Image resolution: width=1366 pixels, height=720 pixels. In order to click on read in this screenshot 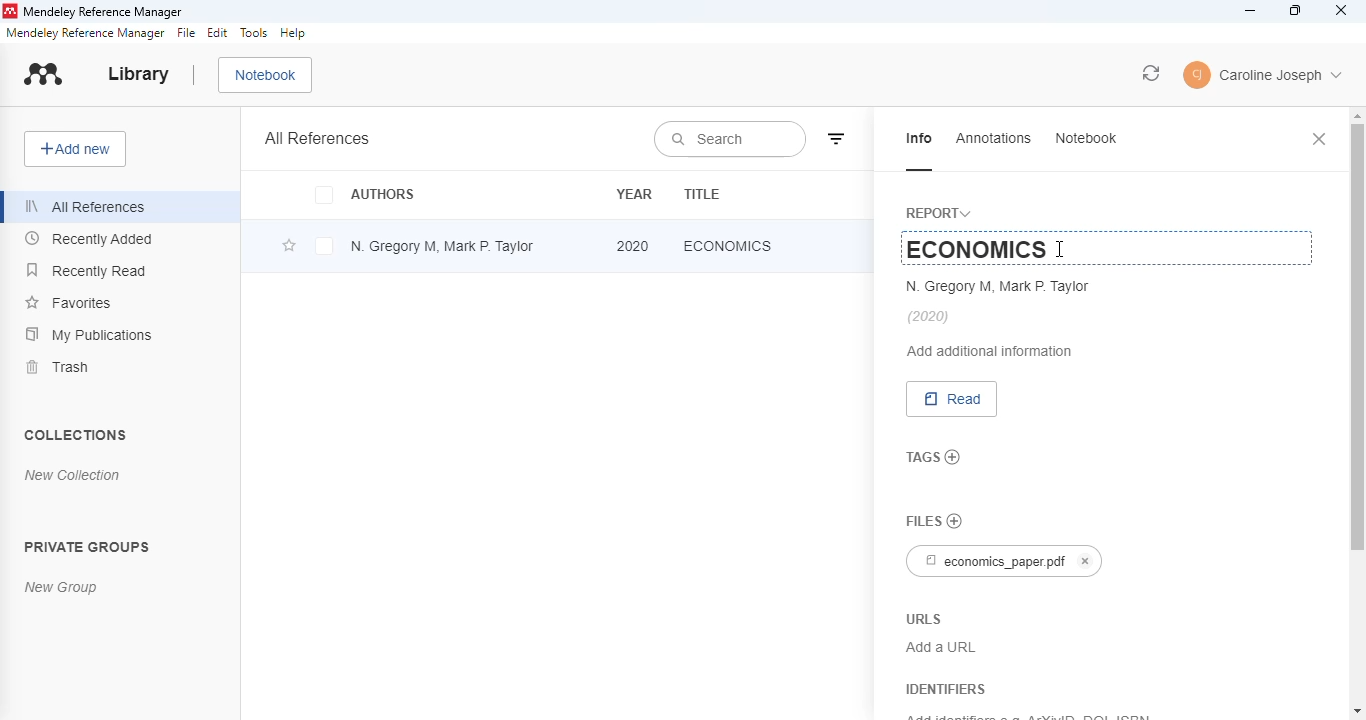, I will do `click(952, 399)`.